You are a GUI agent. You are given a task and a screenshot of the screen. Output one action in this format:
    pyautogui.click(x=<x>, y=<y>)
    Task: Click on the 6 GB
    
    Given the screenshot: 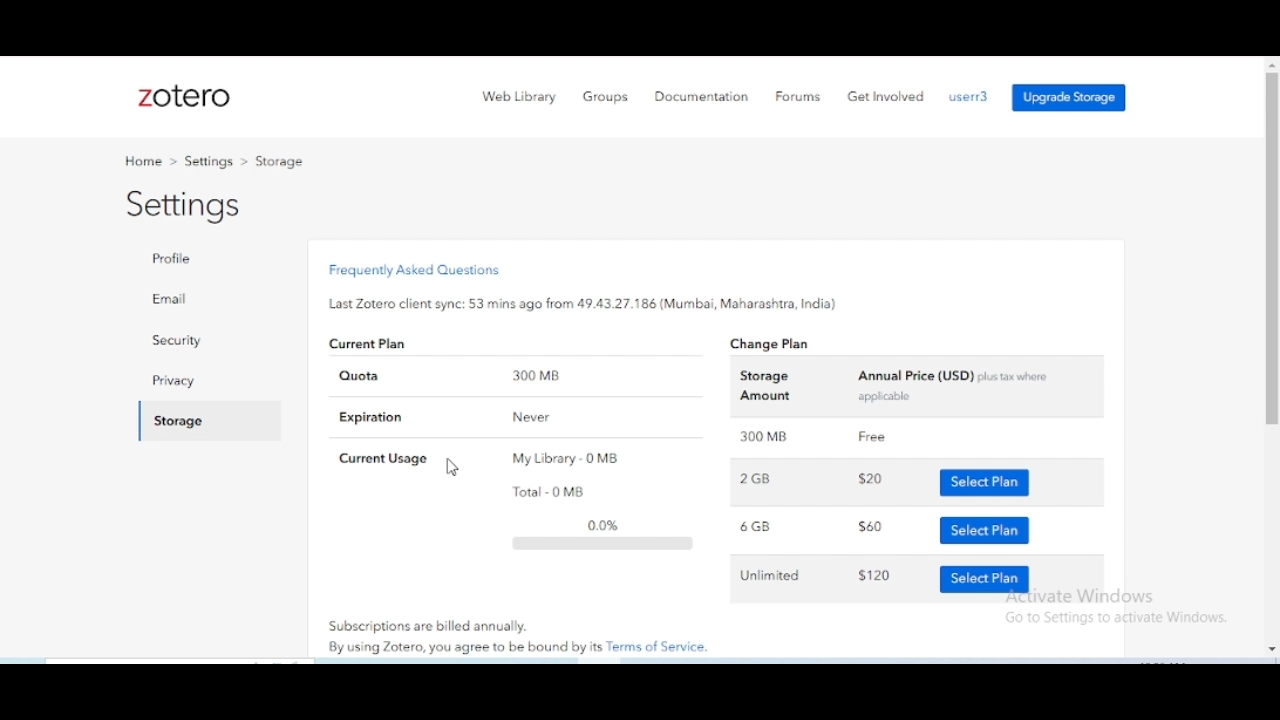 What is the action you would take?
    pyautogui.click(x=758, y=527)
    